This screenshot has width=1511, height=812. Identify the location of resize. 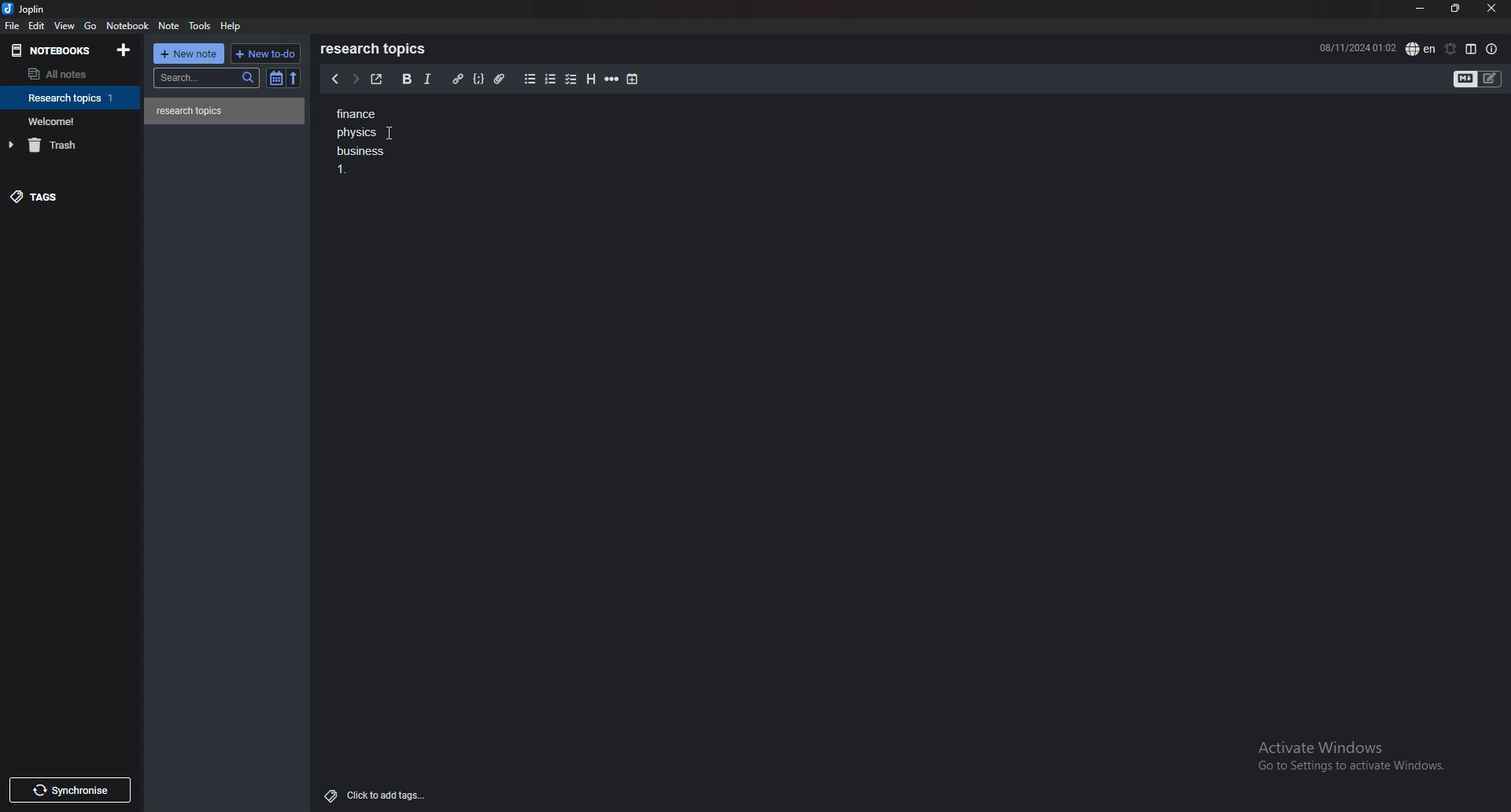
(1454, 8).